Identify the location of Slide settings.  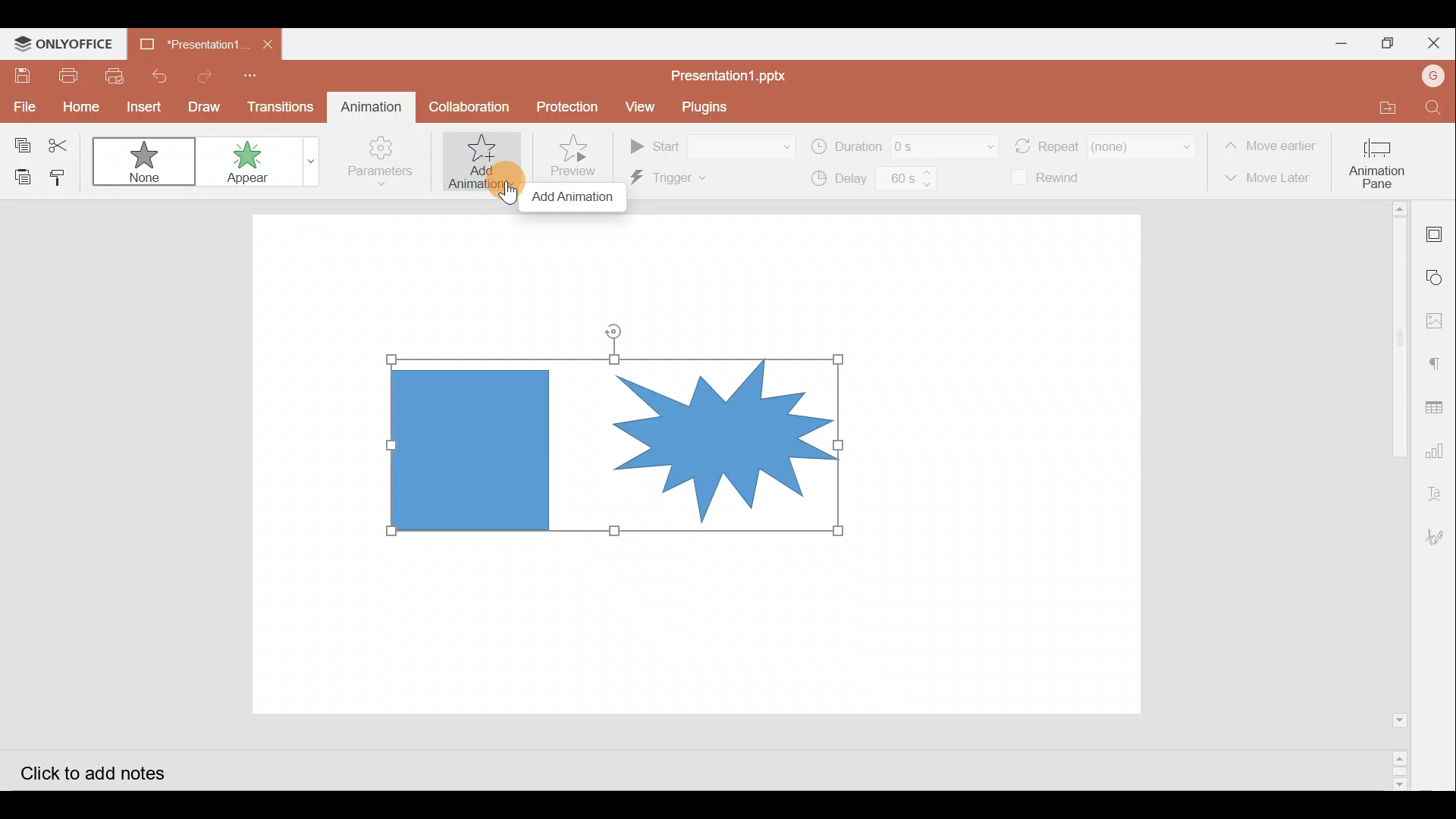
(1436, 232).